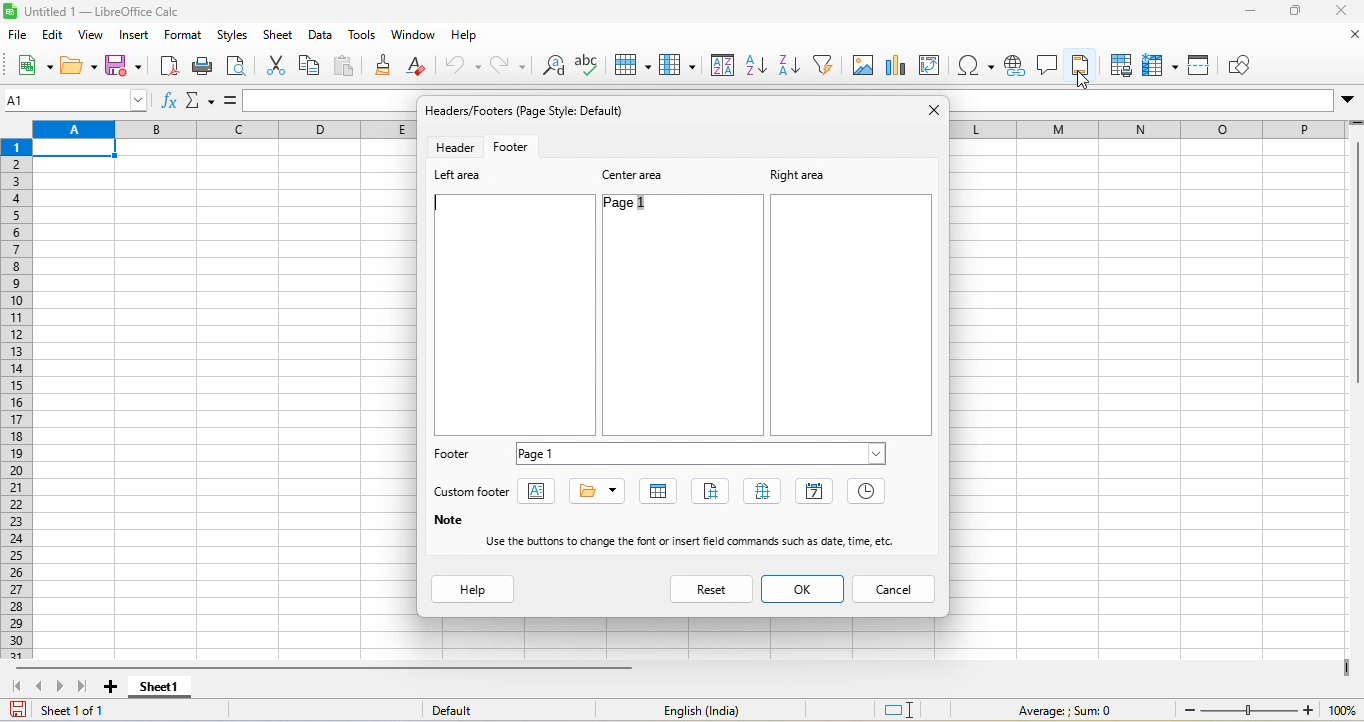  Describe the element at coordinates (14, 398) in the screenshot. I see `rows` at that location.